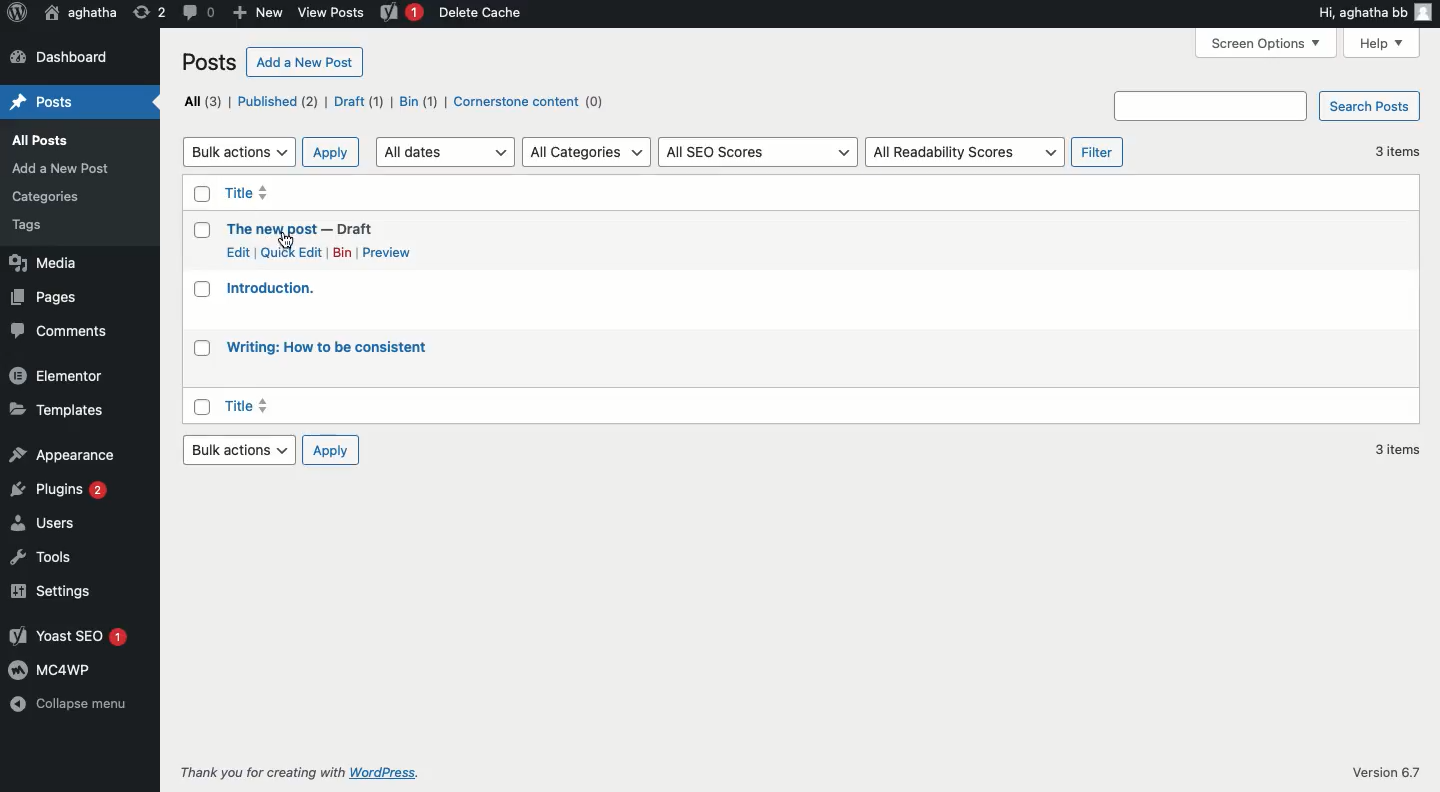  Describe the element at coordinates (45, 525) in the screenshot. I see `Users` at that location.